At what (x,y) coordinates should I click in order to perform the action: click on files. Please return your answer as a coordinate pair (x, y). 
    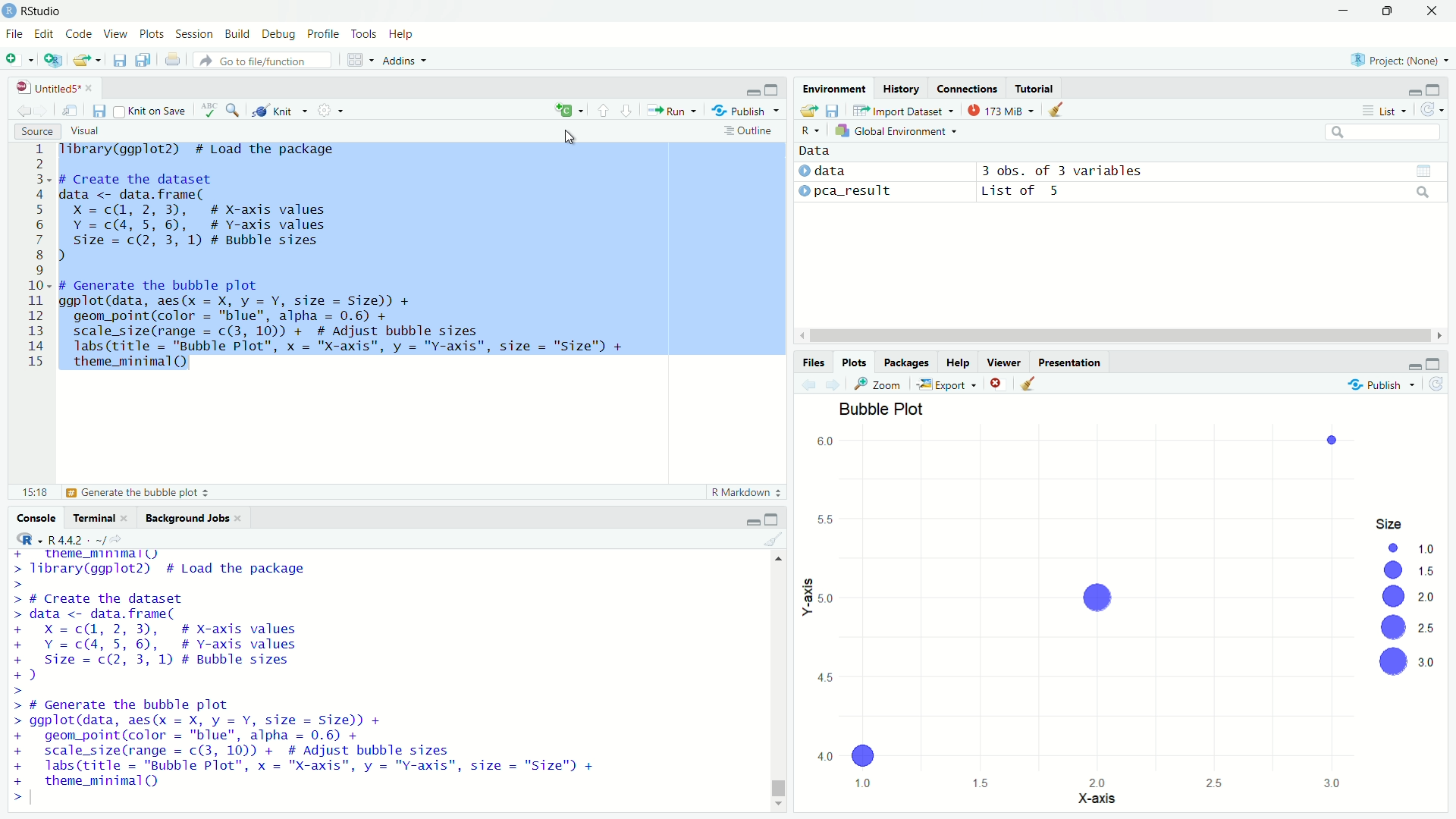
    Looking at the image, I should click on (815, 362).